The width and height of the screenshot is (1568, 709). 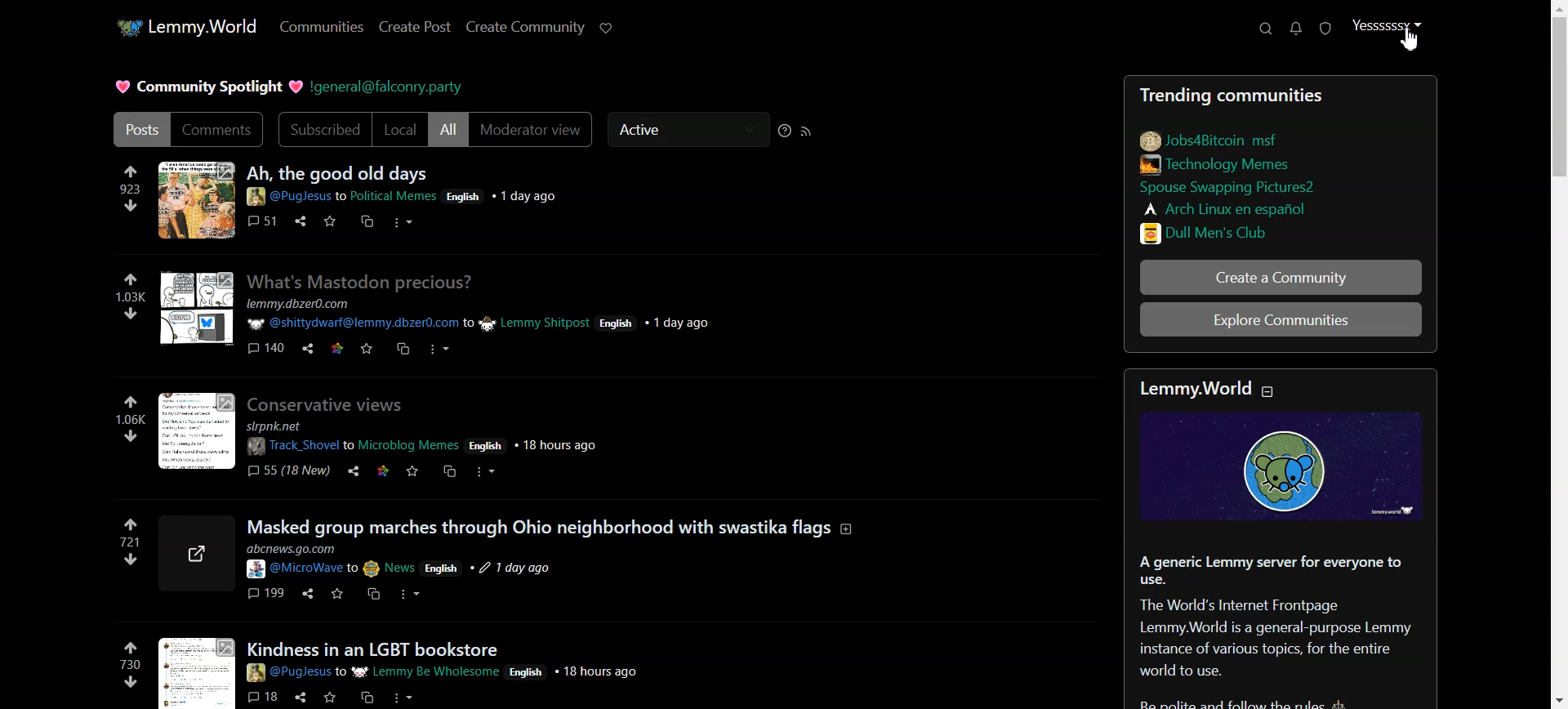 What do you see at coordinates (1266, 28) in the screenshot?
I see `Search` at bounding box center [1266, 28].